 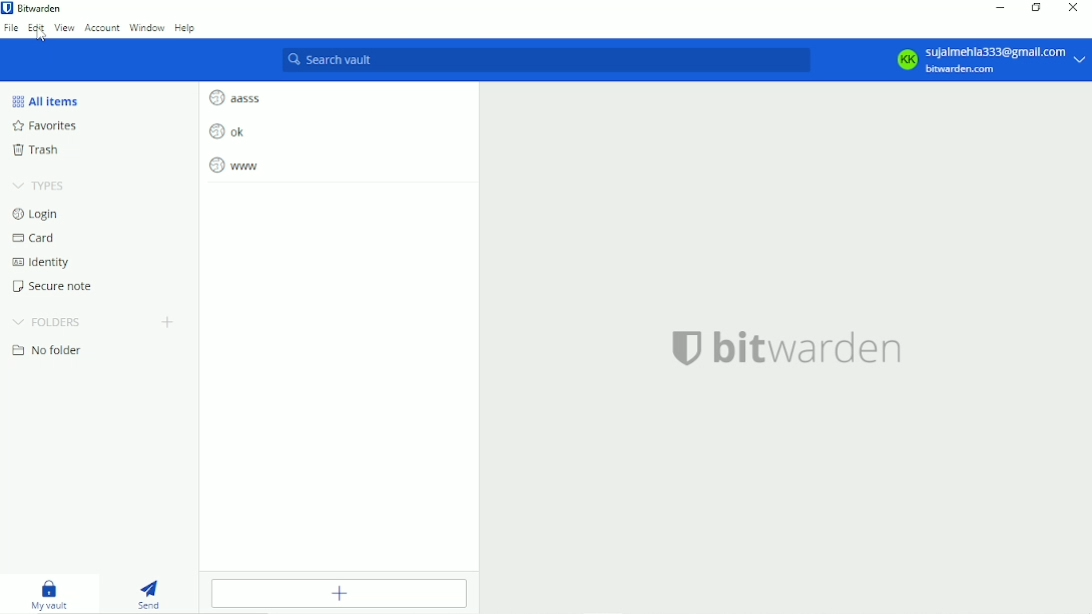 I want to click on Card, so click(x=36, y=238).